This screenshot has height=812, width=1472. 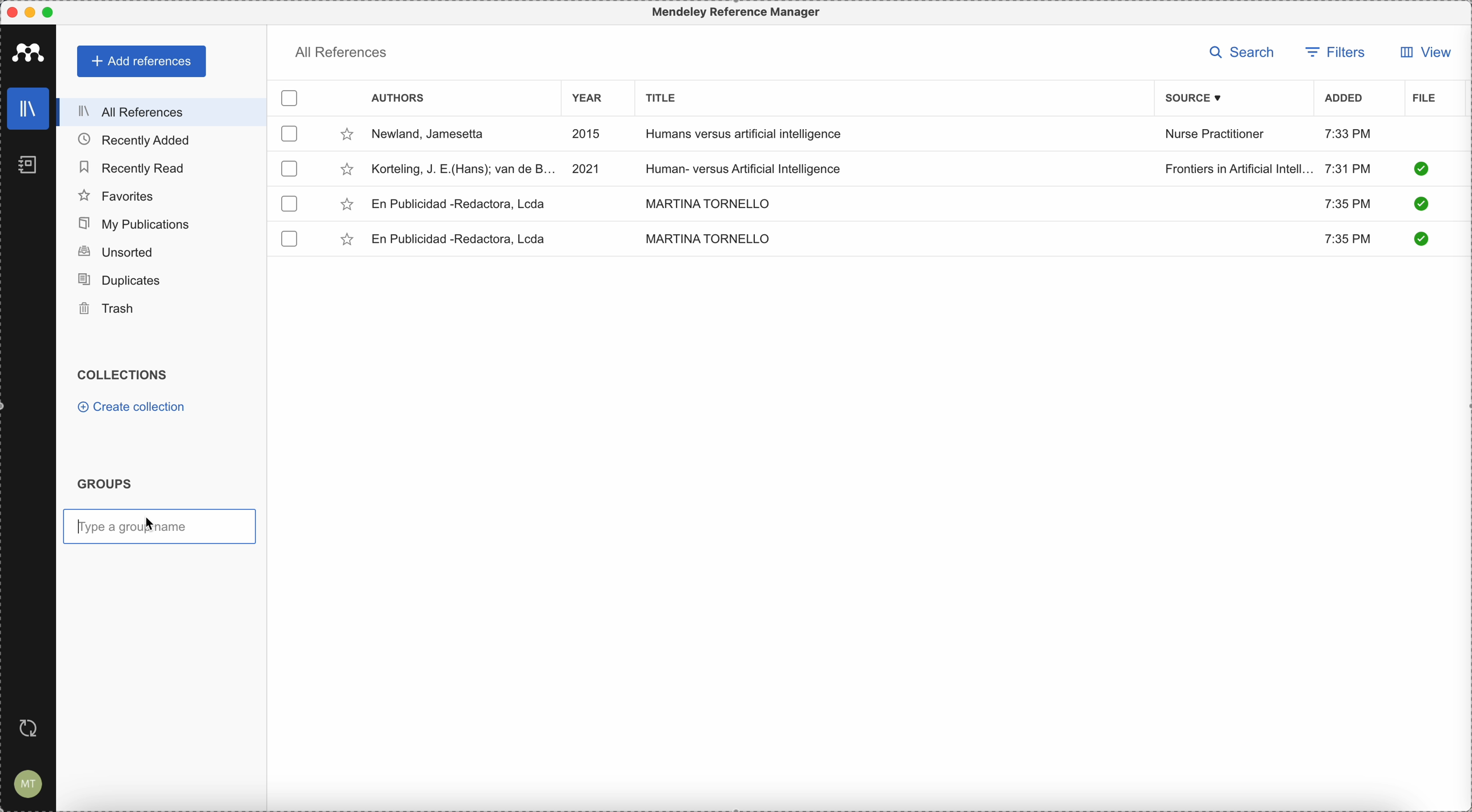 What do you see at coordinates (1202, 98) in the screenshot?
I see `source` at bounding box center [1202, 98].